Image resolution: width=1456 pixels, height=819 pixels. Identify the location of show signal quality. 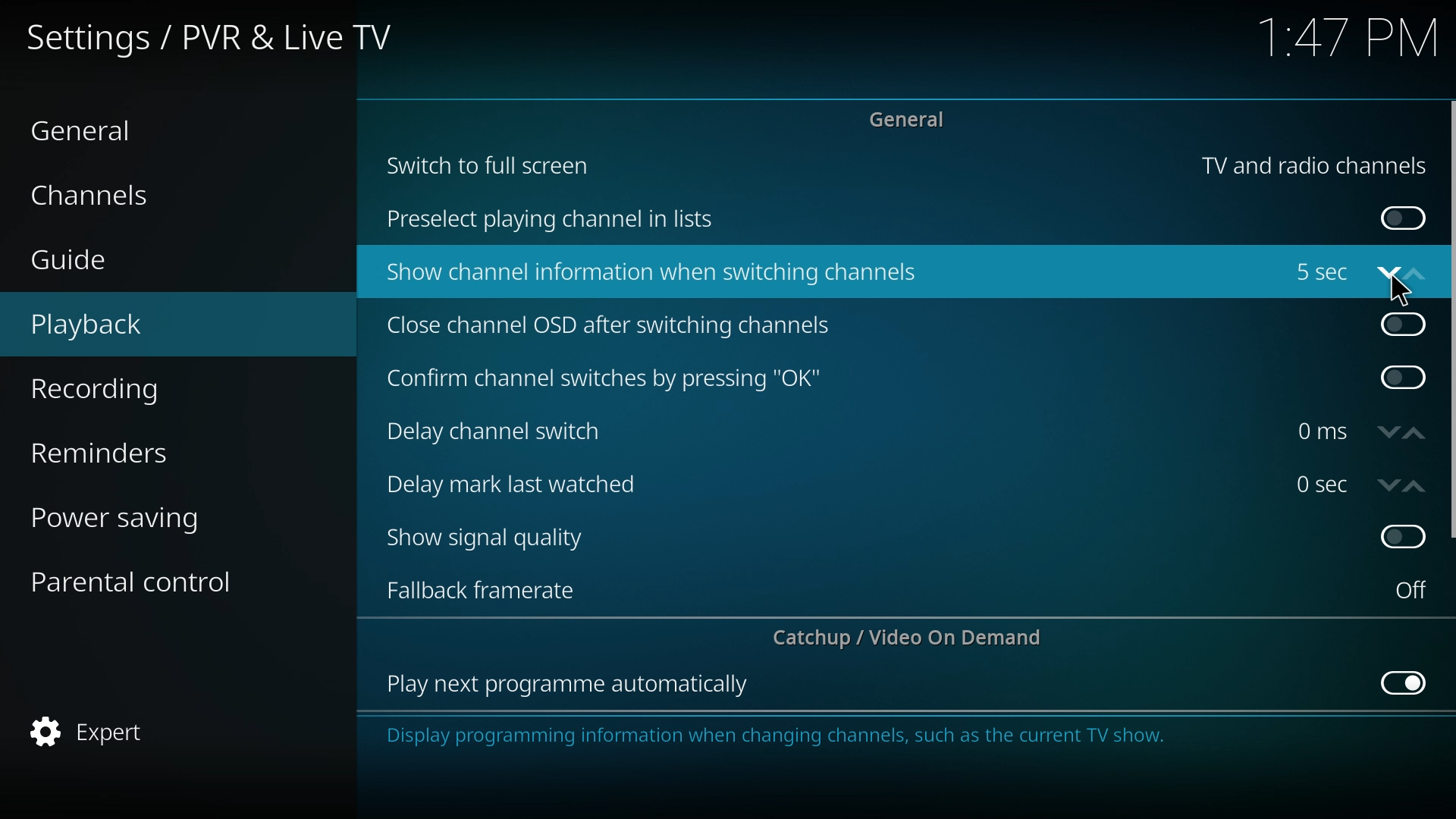
(496, 538).